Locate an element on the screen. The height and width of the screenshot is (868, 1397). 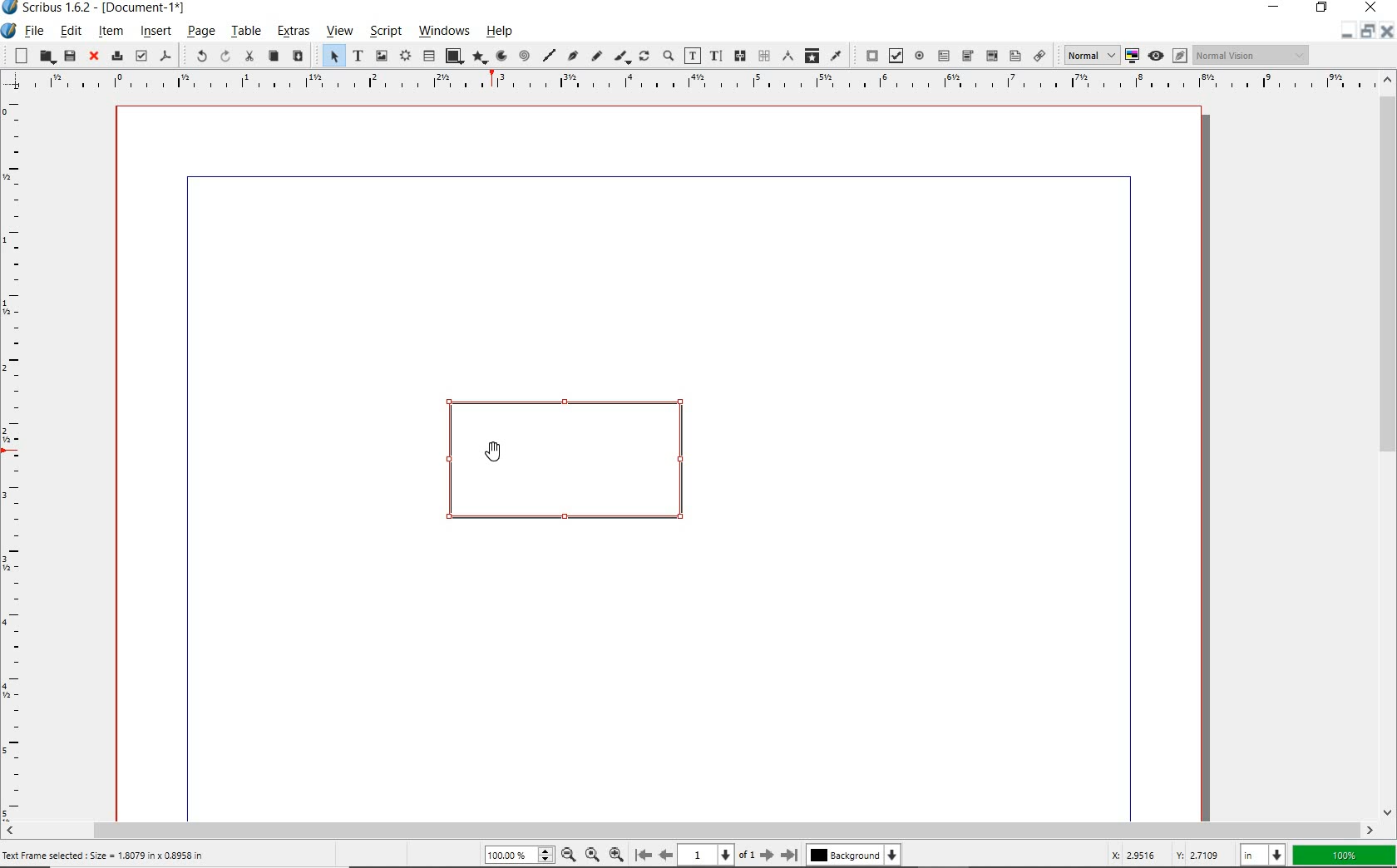
minimize is located at coordinates (1365, 32).